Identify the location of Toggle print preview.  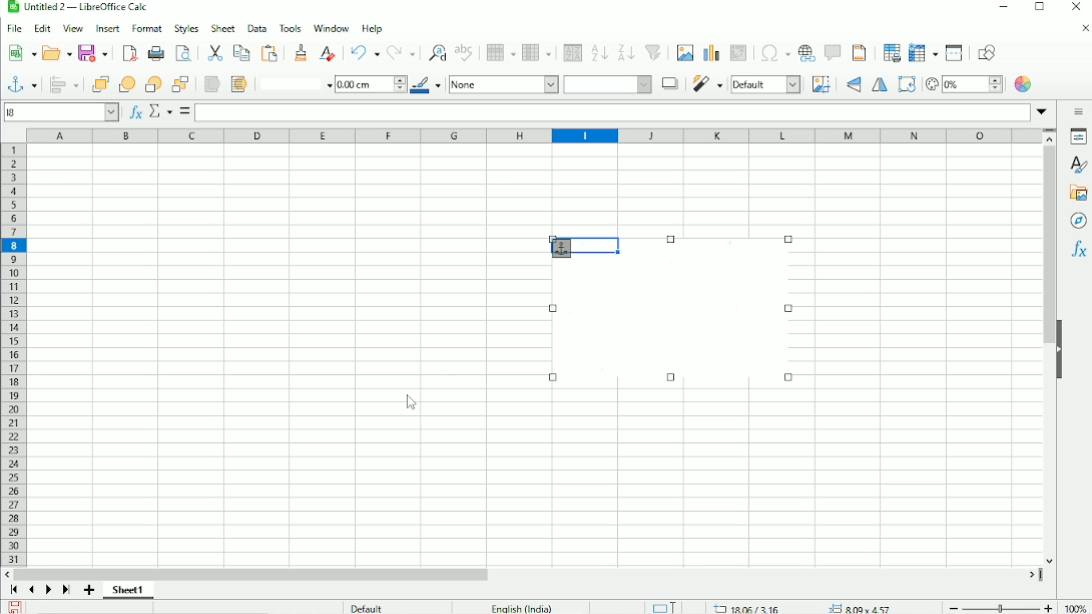
(184, 54).